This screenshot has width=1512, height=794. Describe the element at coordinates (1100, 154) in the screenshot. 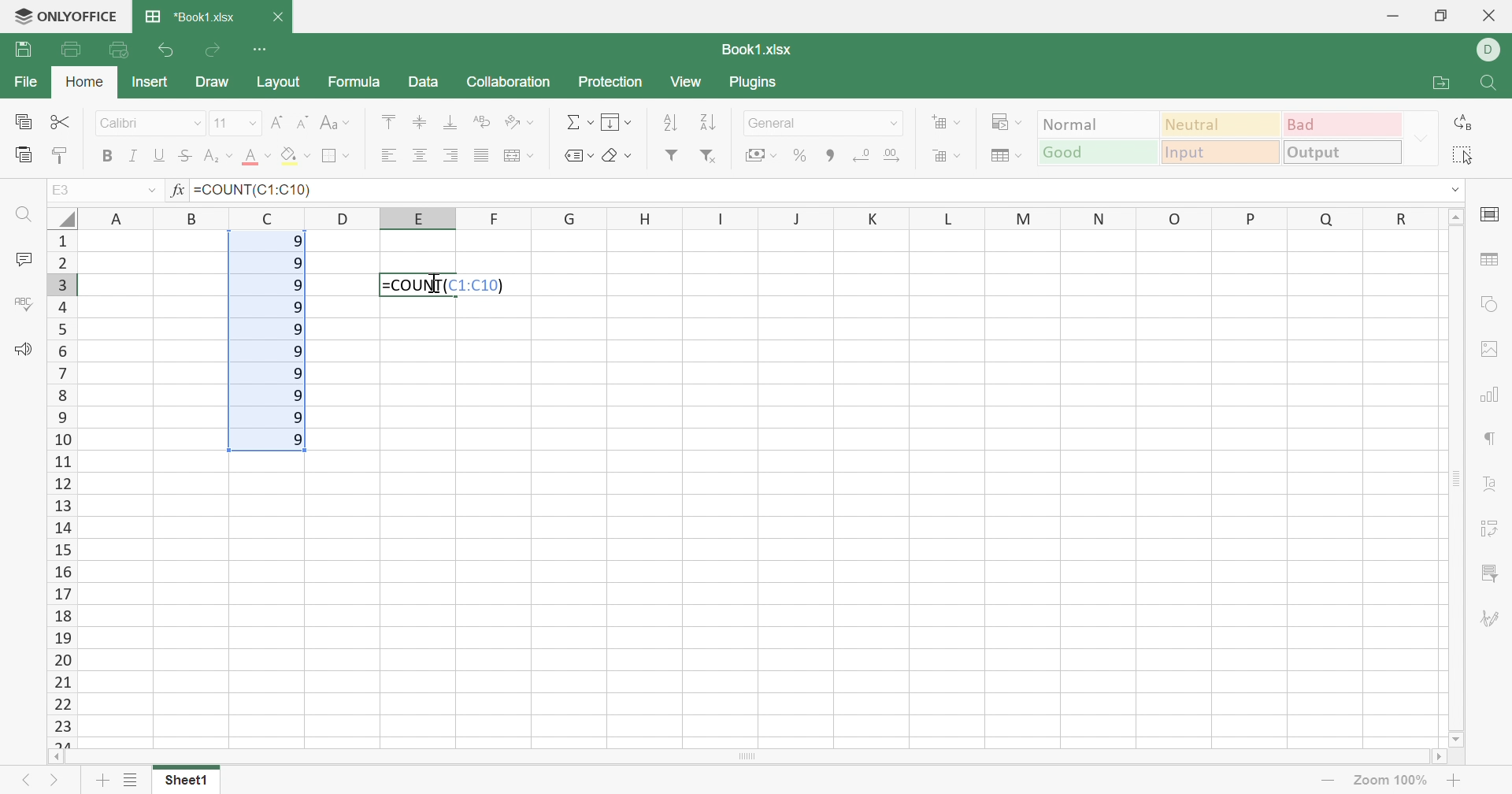

I see `Good` at that location.